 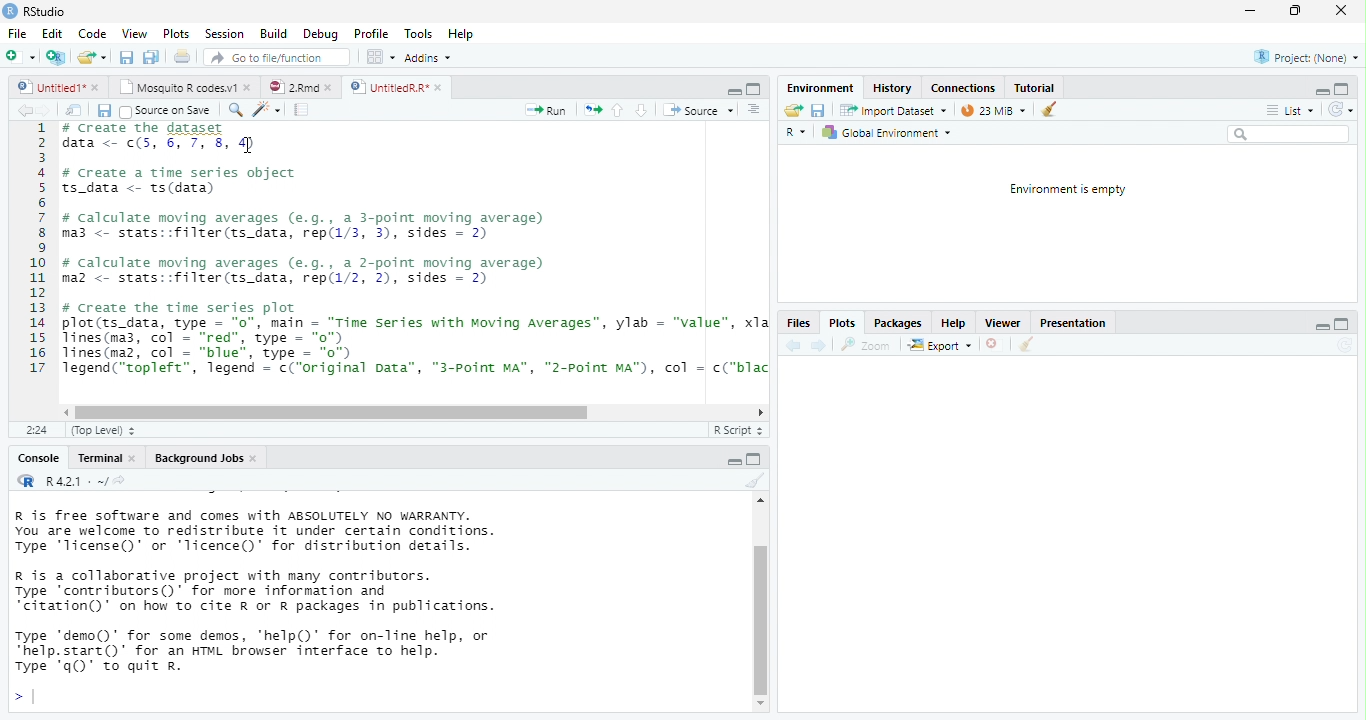 I want to click on History, so click(x=892, y=87).